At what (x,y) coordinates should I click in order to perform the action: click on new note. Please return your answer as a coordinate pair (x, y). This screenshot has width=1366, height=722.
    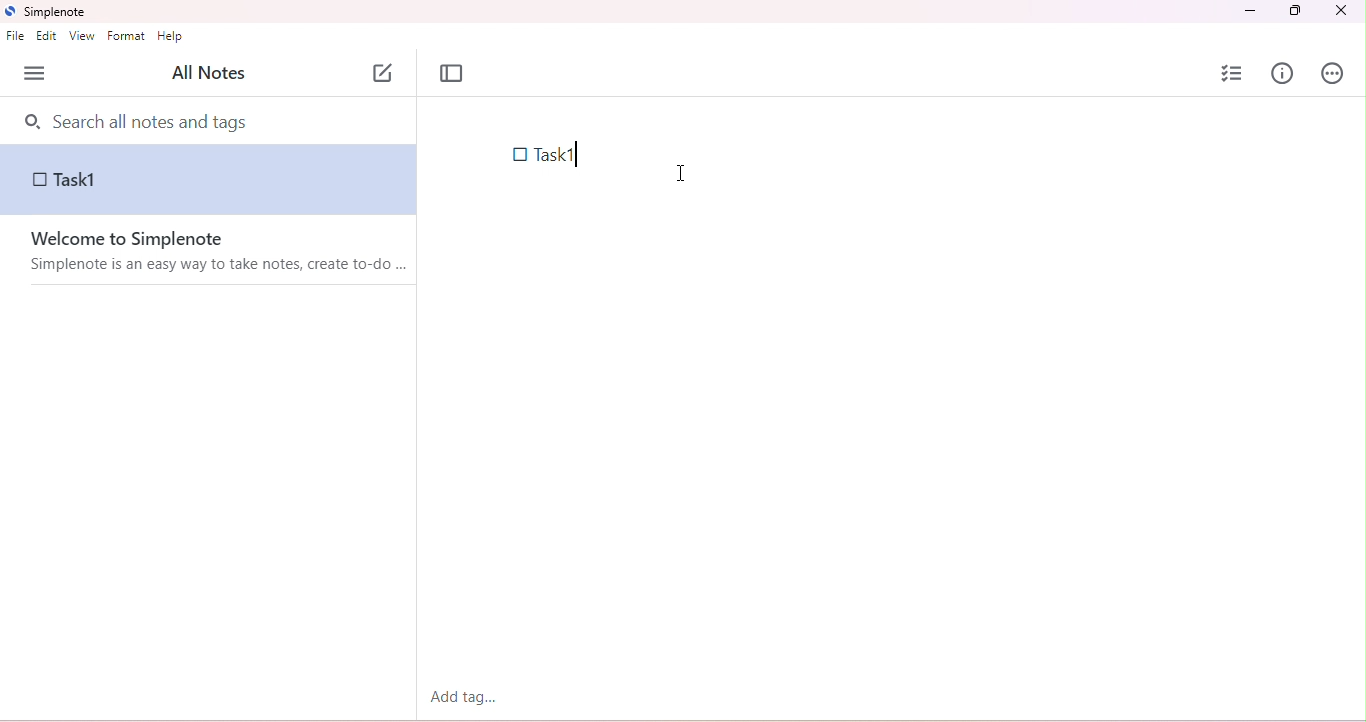
    Looking at the image, I should click on (384, 70).